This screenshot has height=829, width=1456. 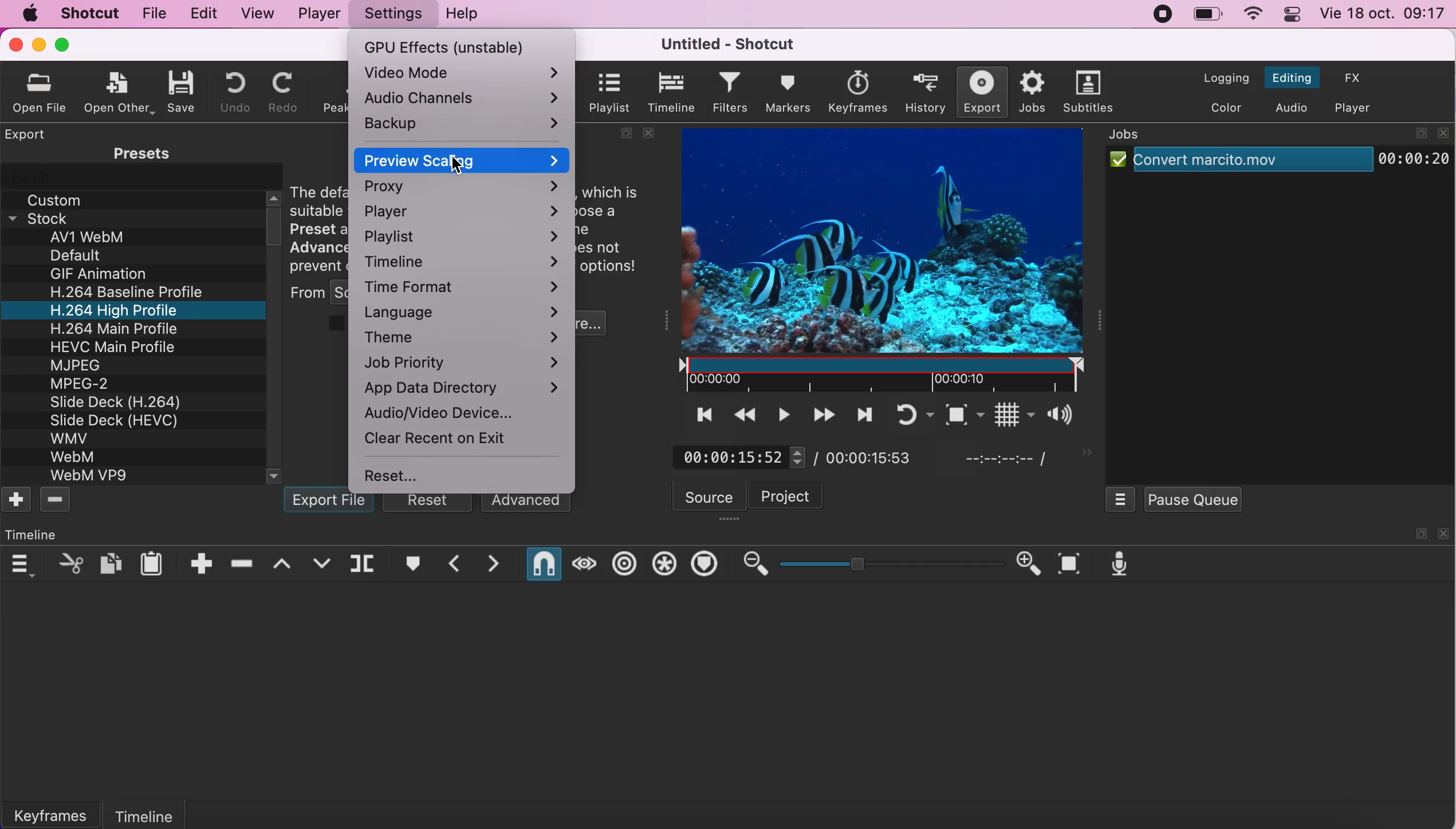 What do you see at coordinates (438, 438) in the screenshot?
I see `clear recent on exit` at bounding box center [438, 438].